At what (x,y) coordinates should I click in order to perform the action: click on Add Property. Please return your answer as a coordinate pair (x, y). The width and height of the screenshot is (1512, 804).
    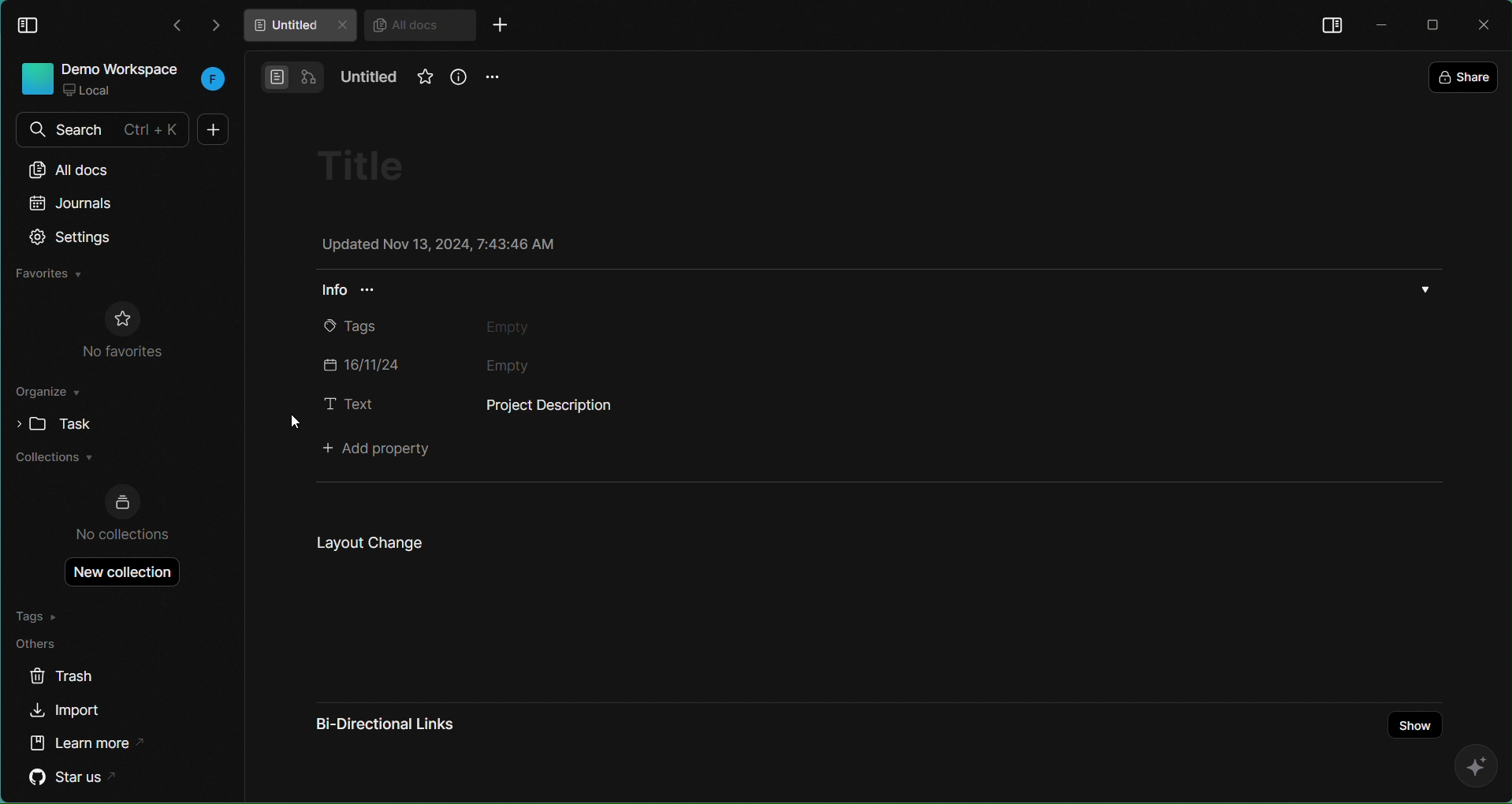
    Looking at the image, I should click on (384, 450).